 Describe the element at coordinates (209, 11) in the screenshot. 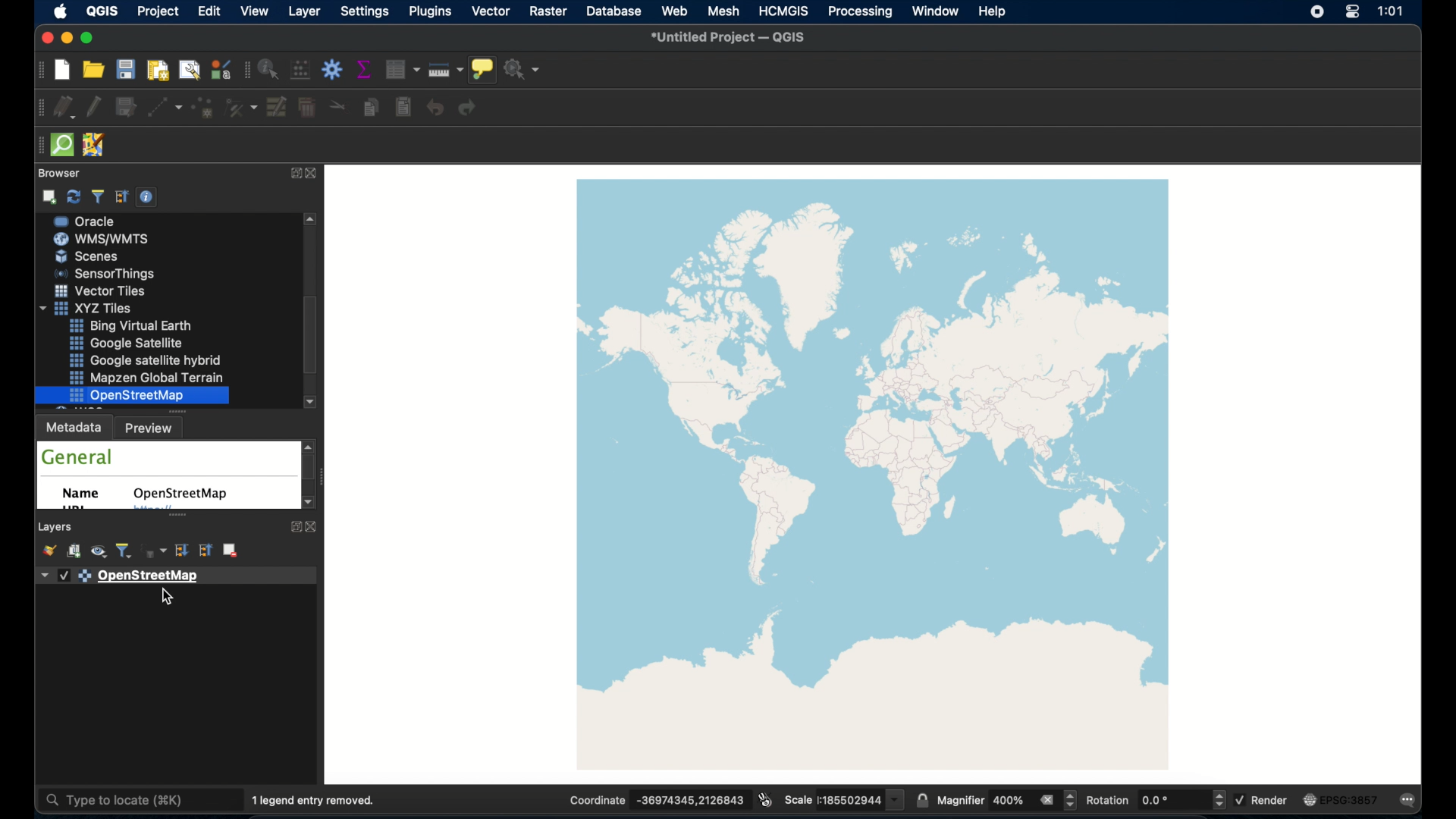

I see `edit` at that location.